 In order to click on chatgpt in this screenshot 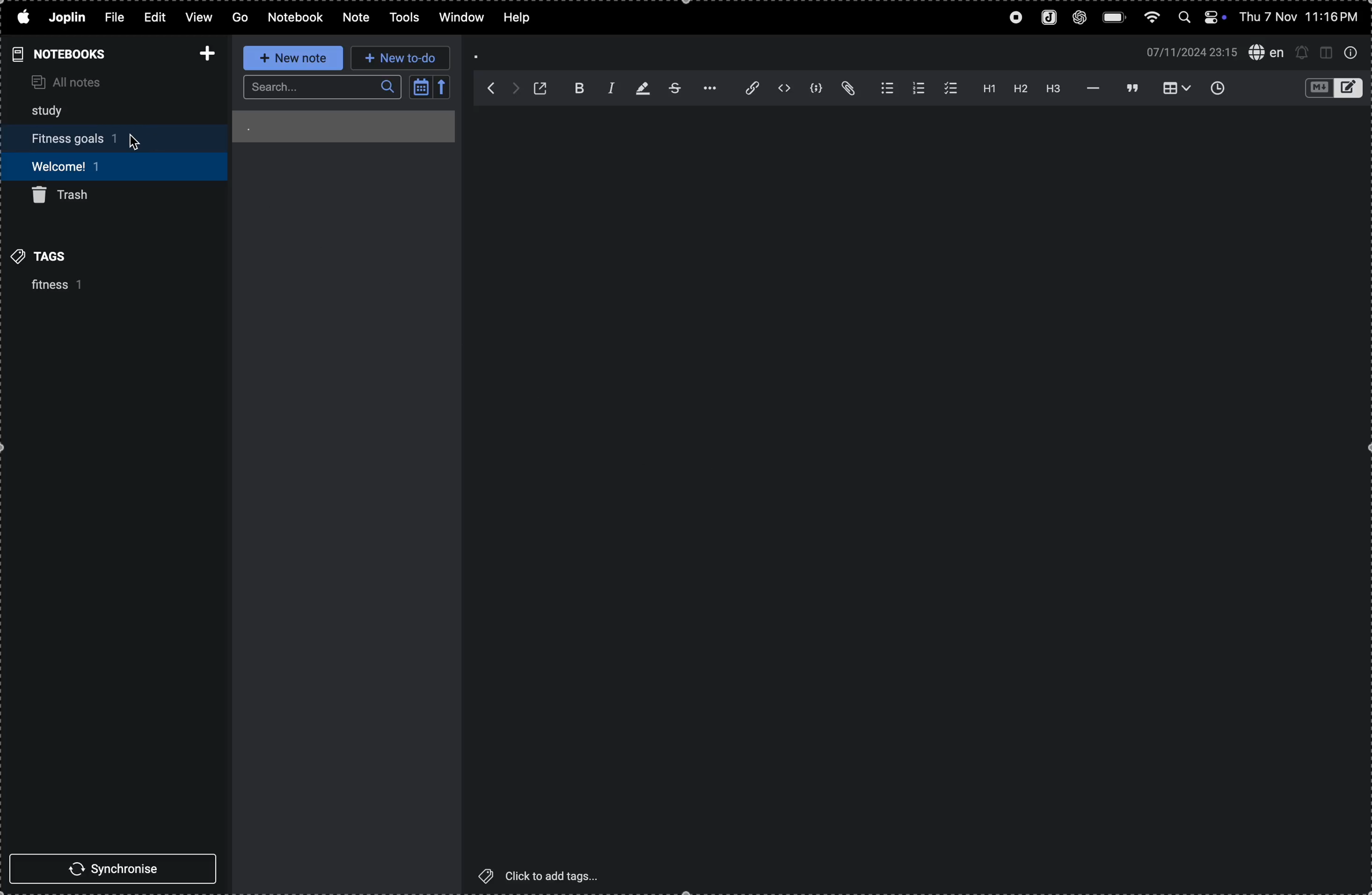, I will do `click(1078, 18)`.